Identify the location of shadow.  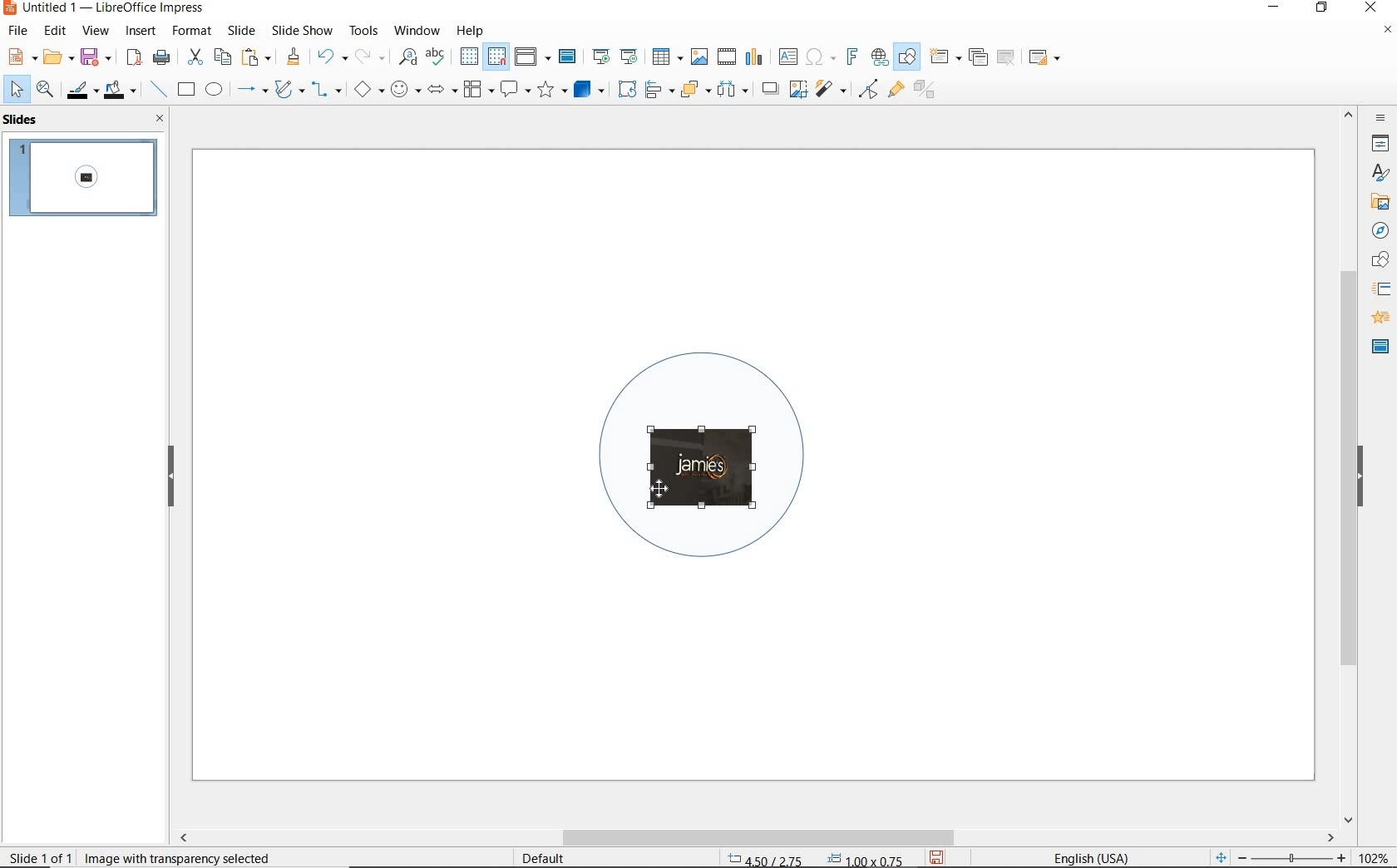
(769, 87).